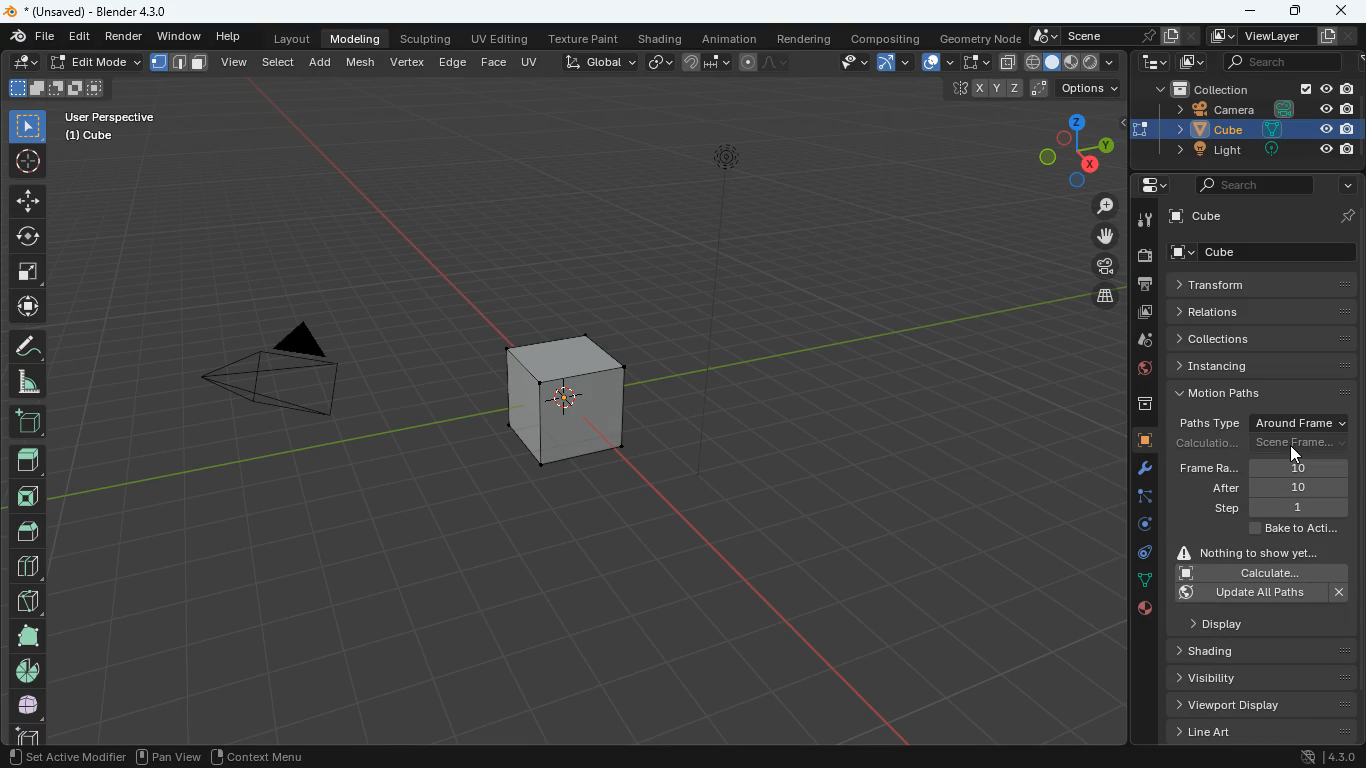  What do you see at coordinates (1065, 149) in the screenshot?
I see `dimension` at bounding box center [1065, 149].